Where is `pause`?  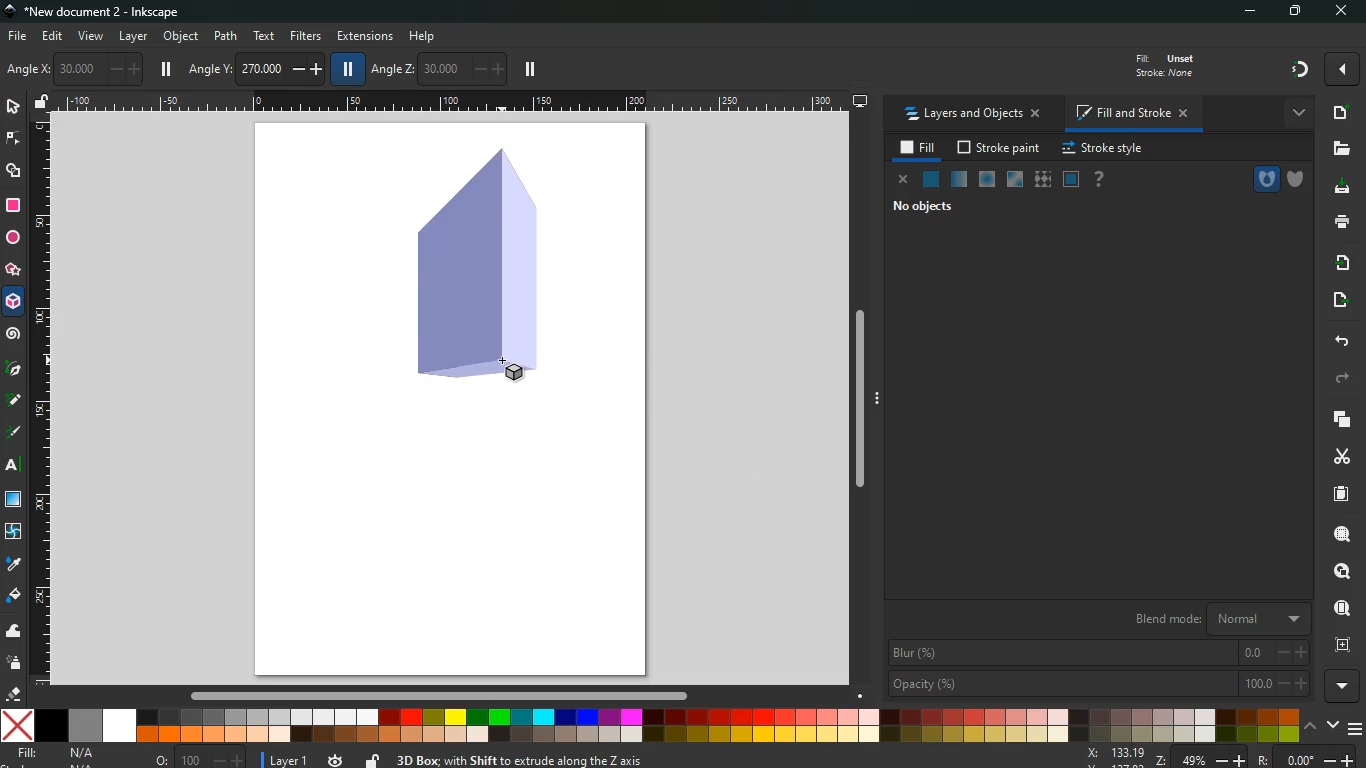
pause is located at coordinates (530, 70).